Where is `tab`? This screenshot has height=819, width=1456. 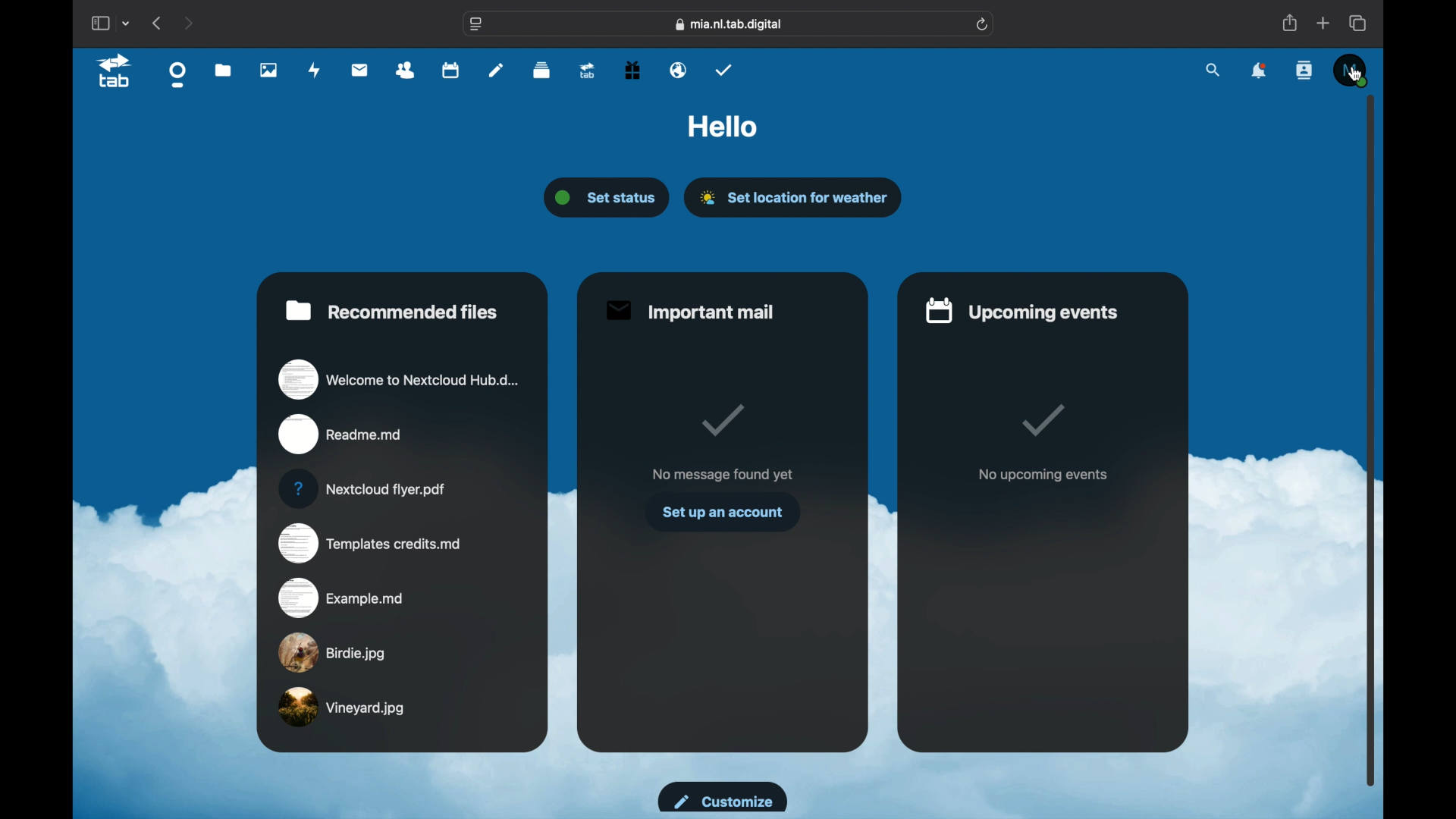
tab is located at coordinates (115, 71).